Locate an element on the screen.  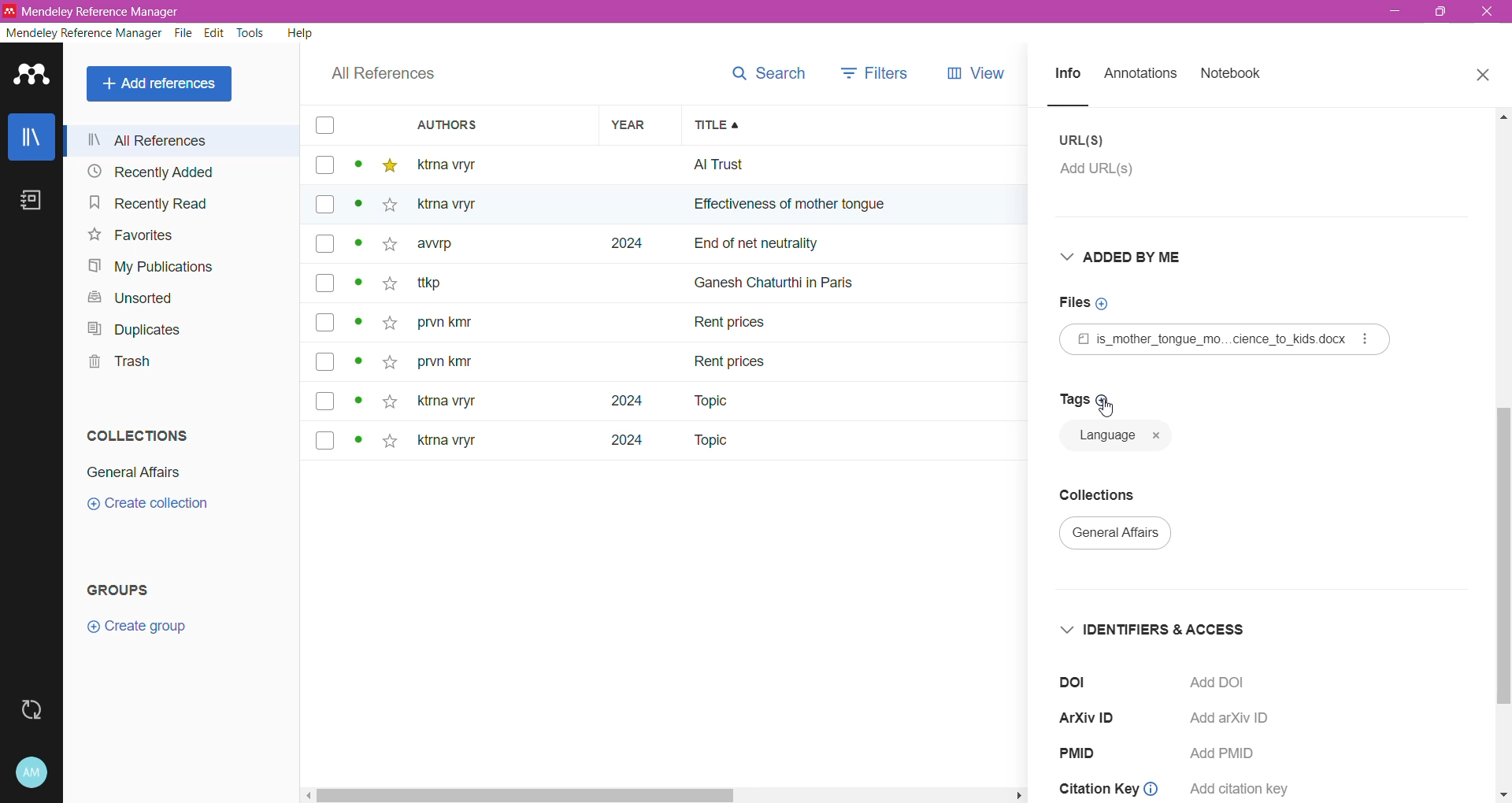
dot  is located at coordinates (354, 209).